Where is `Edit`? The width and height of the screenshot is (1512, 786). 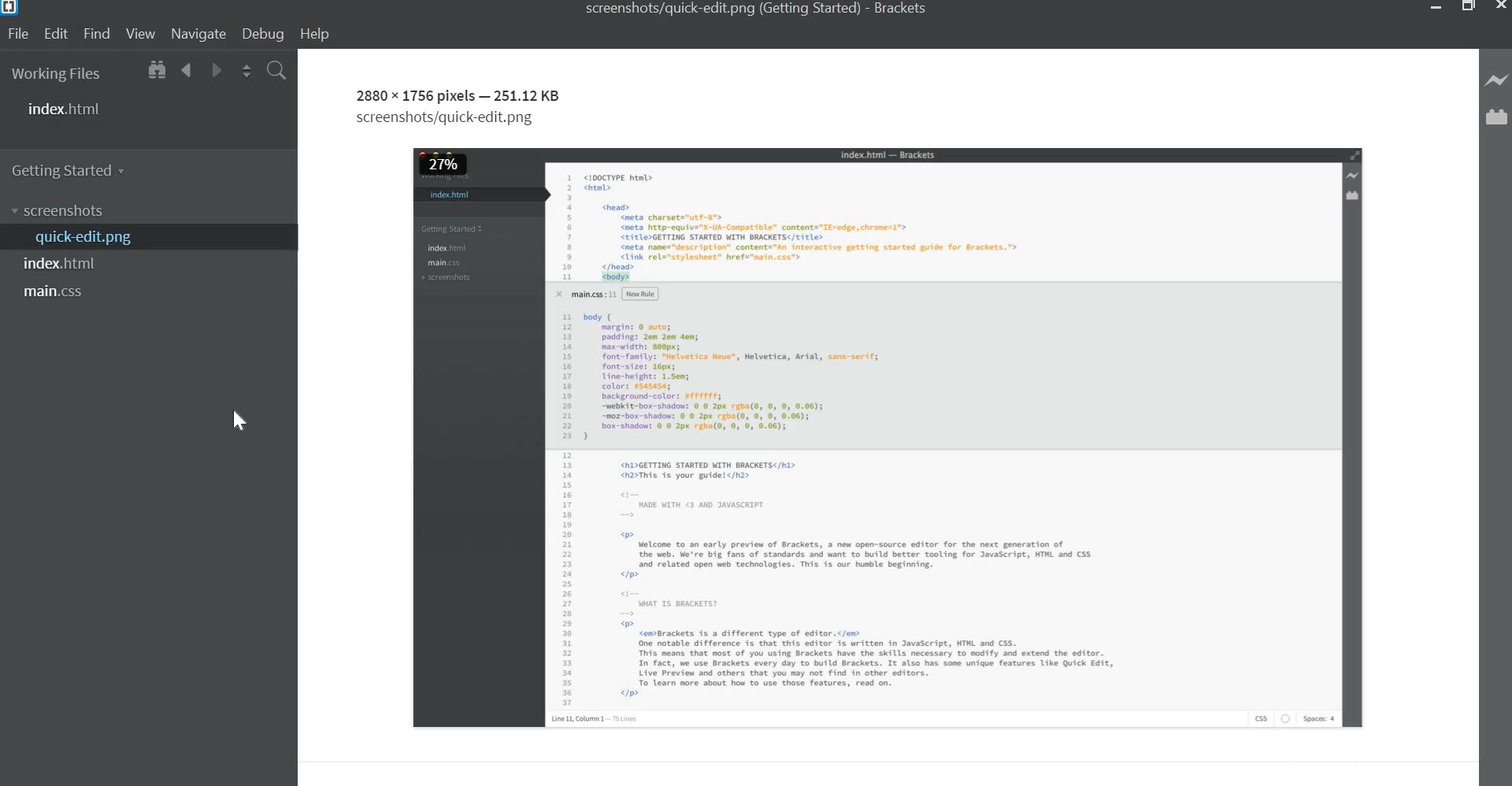
Edit is located at coordinates (56, 34).